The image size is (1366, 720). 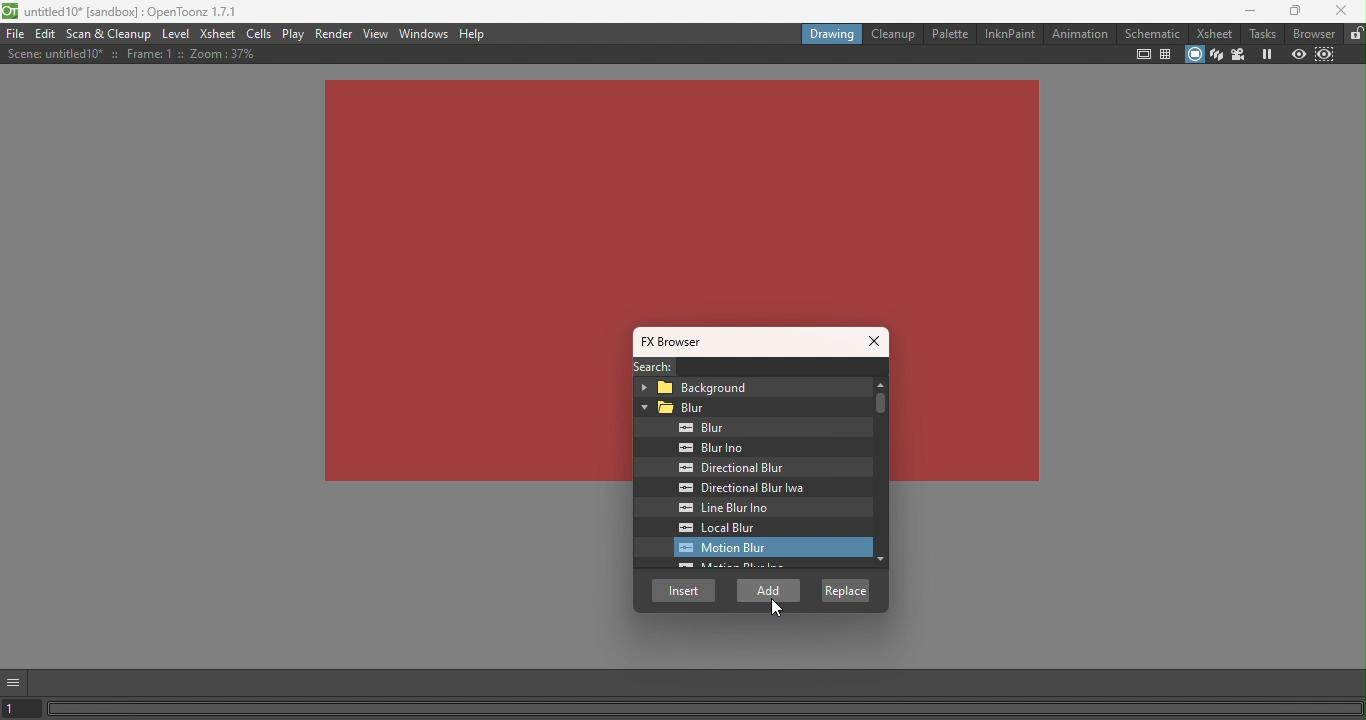 I want to click on Local blur, so click(x=734, y=528).